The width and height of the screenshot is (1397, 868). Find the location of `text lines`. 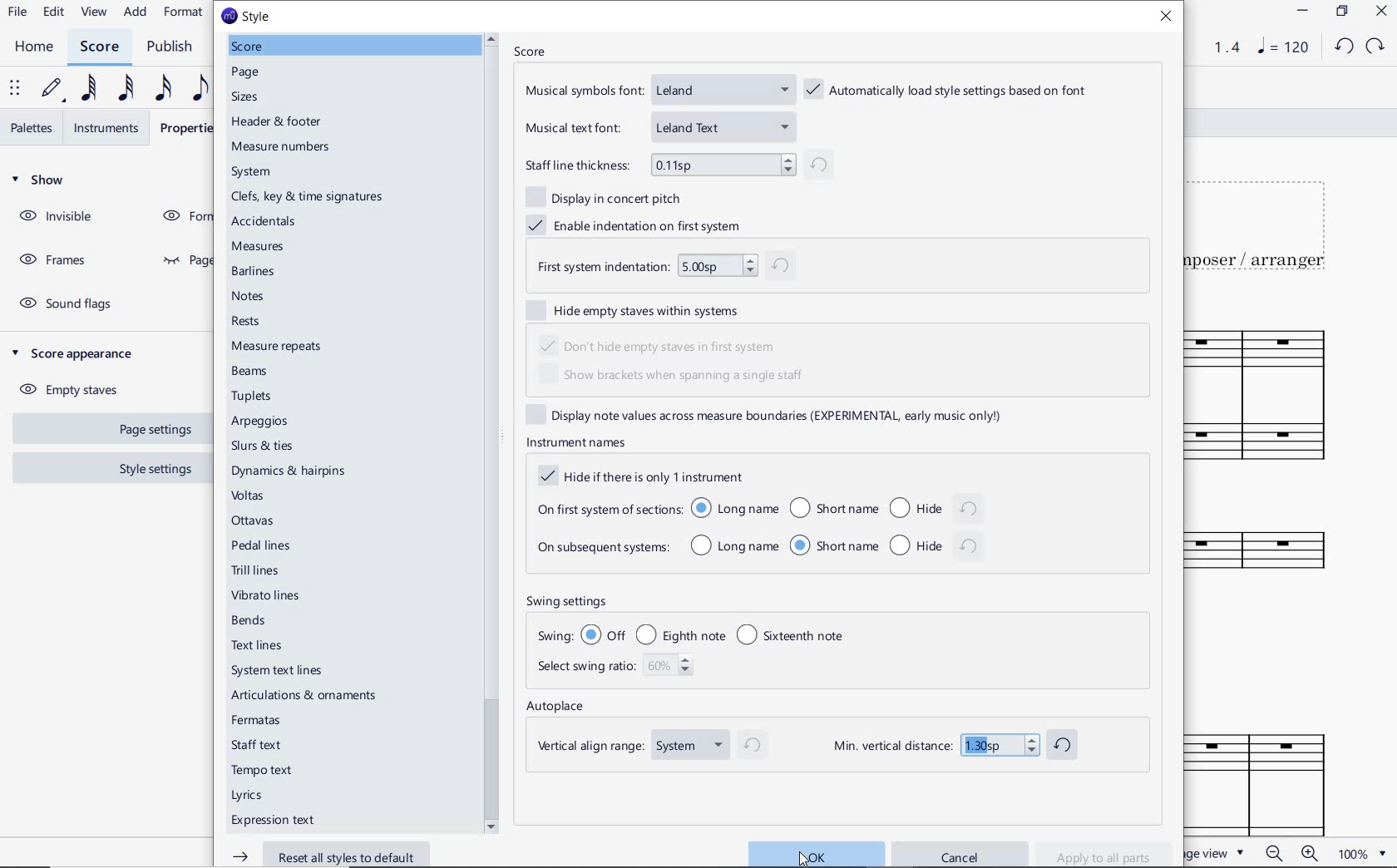

text lines is located at coordinates (259, 646).